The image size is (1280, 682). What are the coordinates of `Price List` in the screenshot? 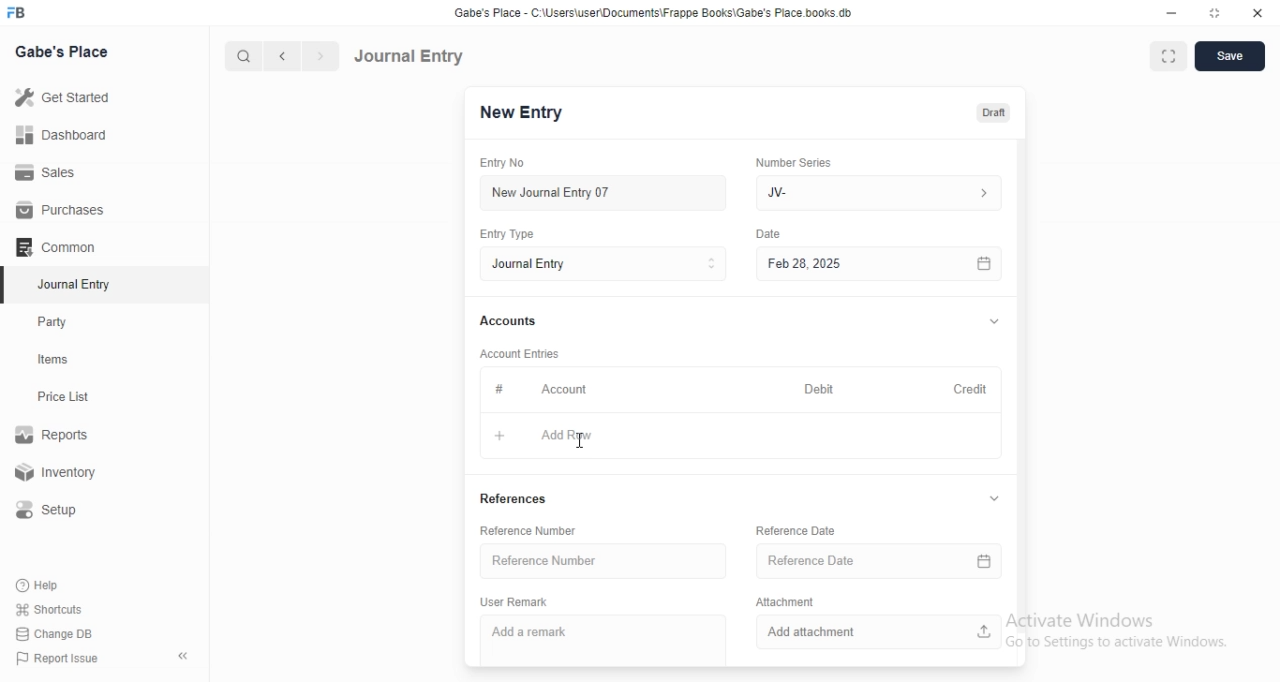 It's located at (62, 397).